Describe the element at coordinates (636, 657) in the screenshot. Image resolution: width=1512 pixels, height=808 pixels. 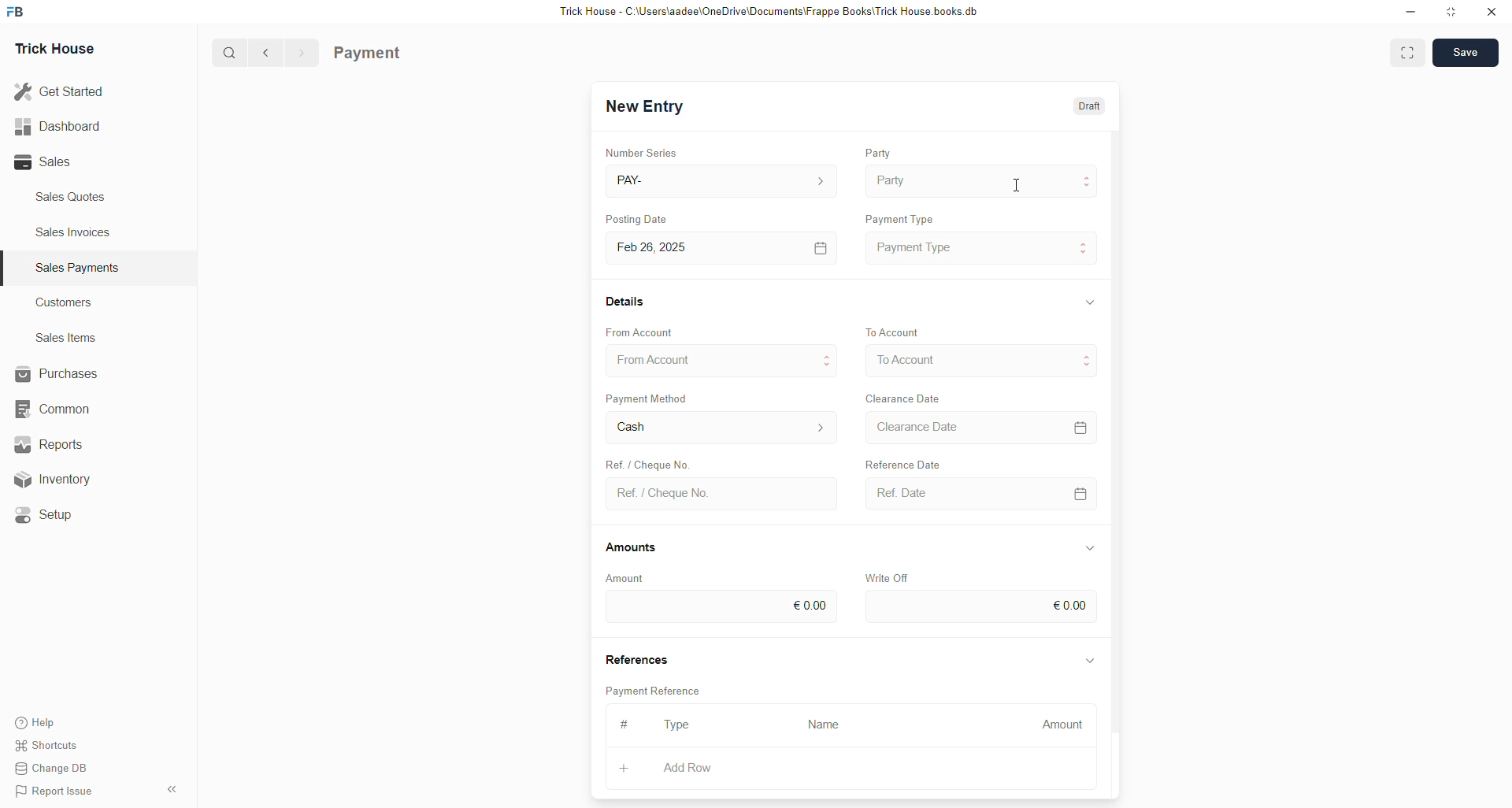
I see `References` at that location.